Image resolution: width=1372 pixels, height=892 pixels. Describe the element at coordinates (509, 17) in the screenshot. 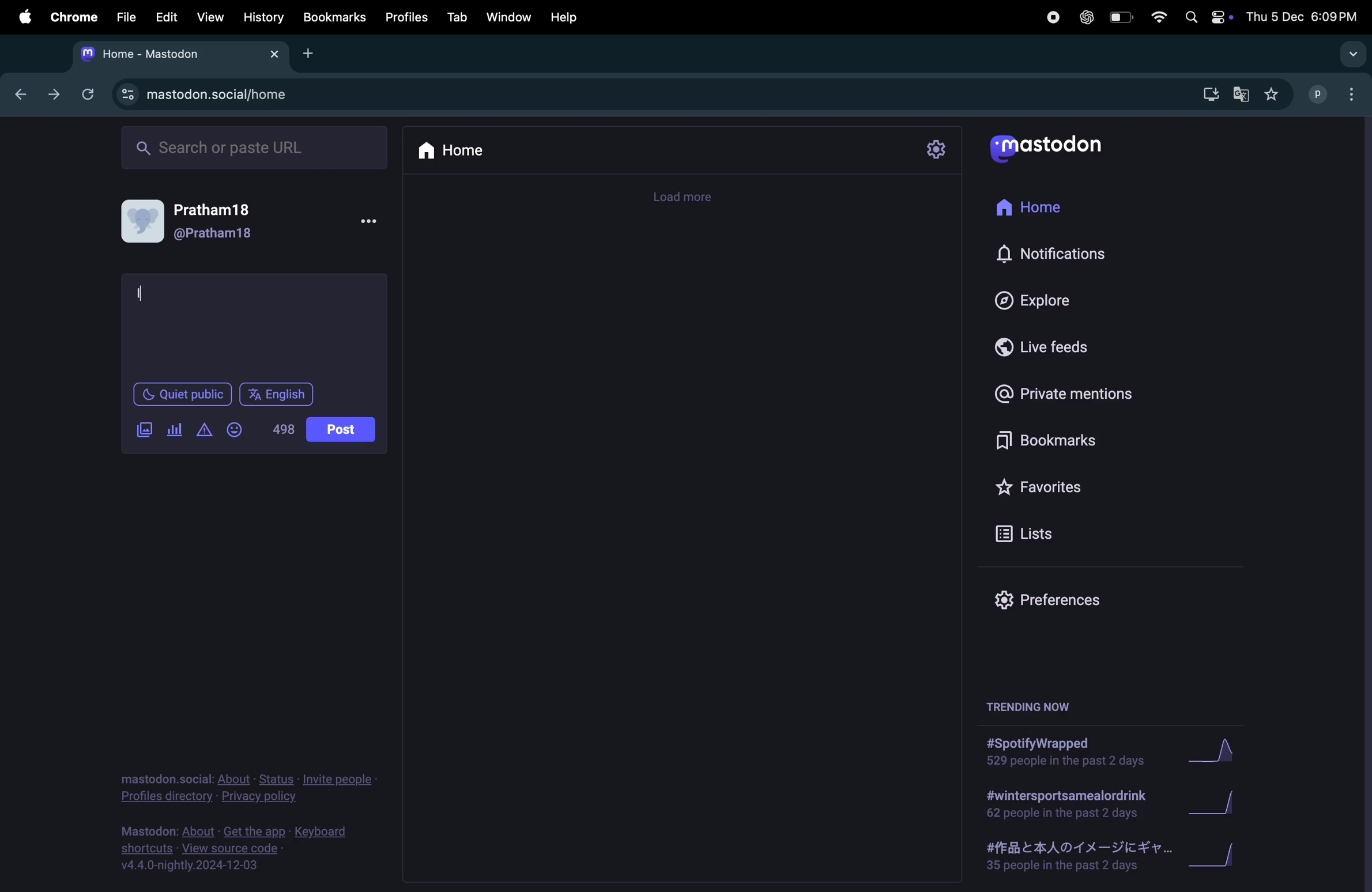

I see `window` at that location.